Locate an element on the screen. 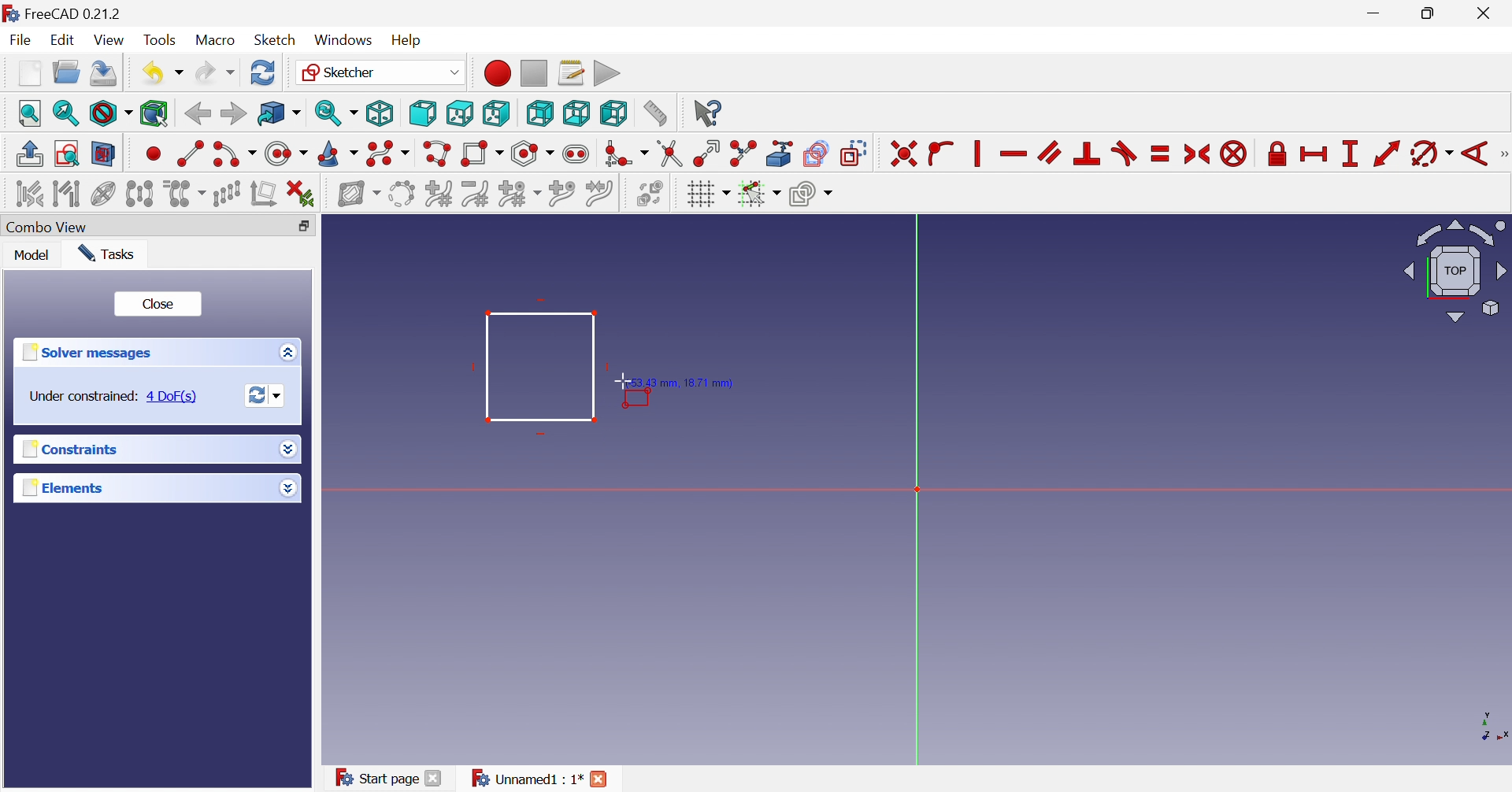  View is located at coordinates (111, 43).